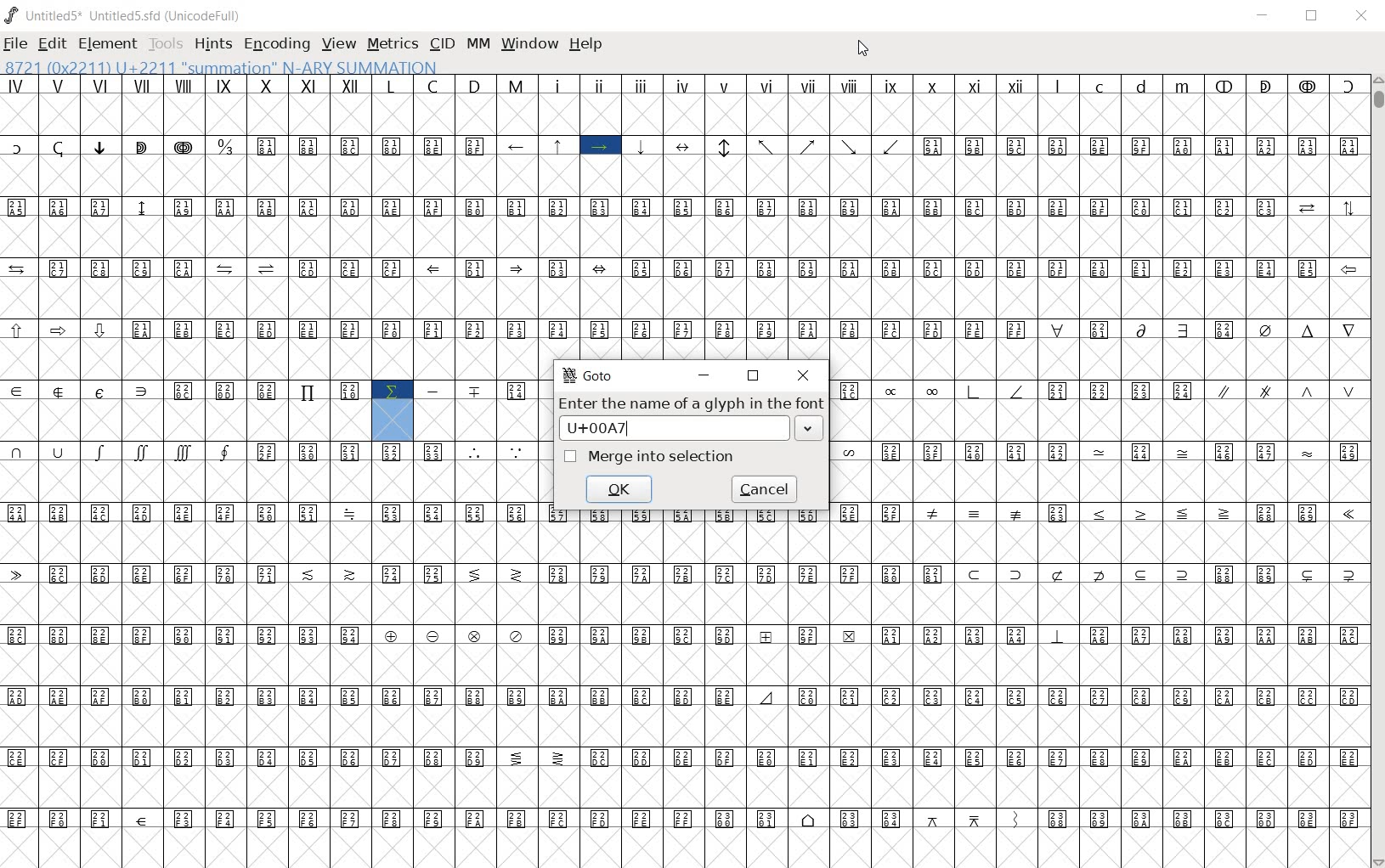 The width and height of the screenshot is (1385, 868). I want to click on empty cells, so click(687, 299).